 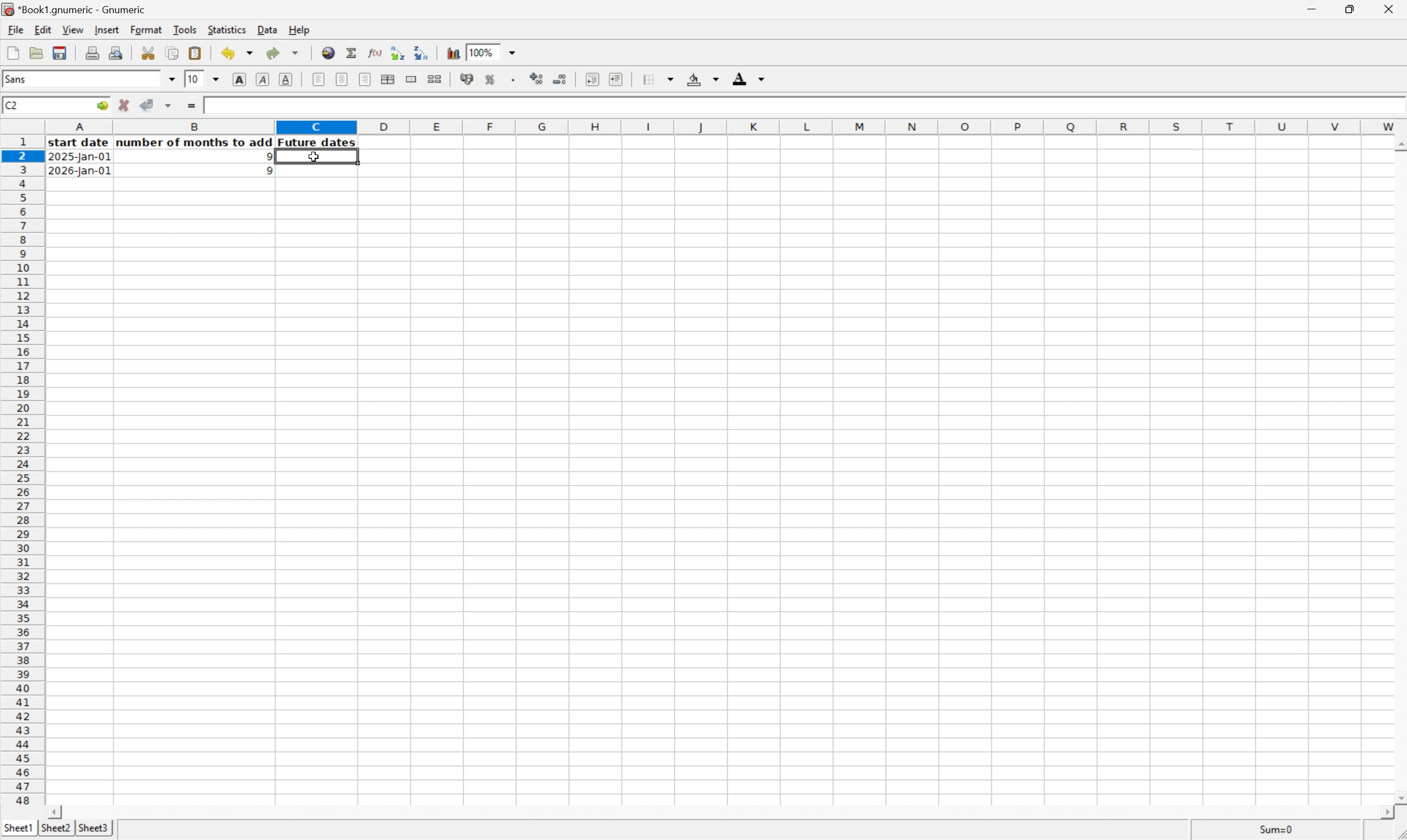 I want to click on Drop Down, so click(x=173, y=79).